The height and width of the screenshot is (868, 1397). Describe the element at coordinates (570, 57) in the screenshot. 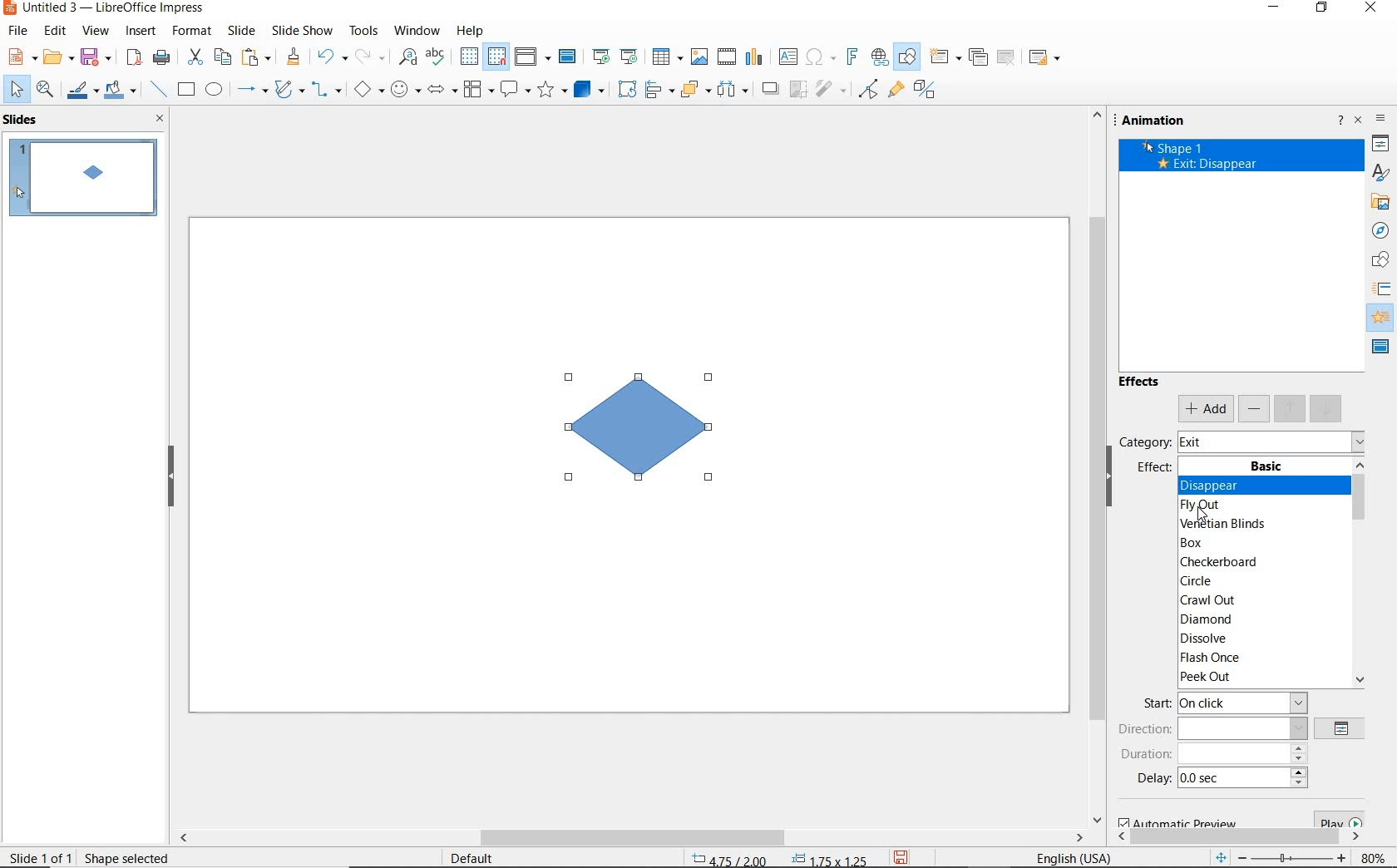

I see `master slide` at that location.